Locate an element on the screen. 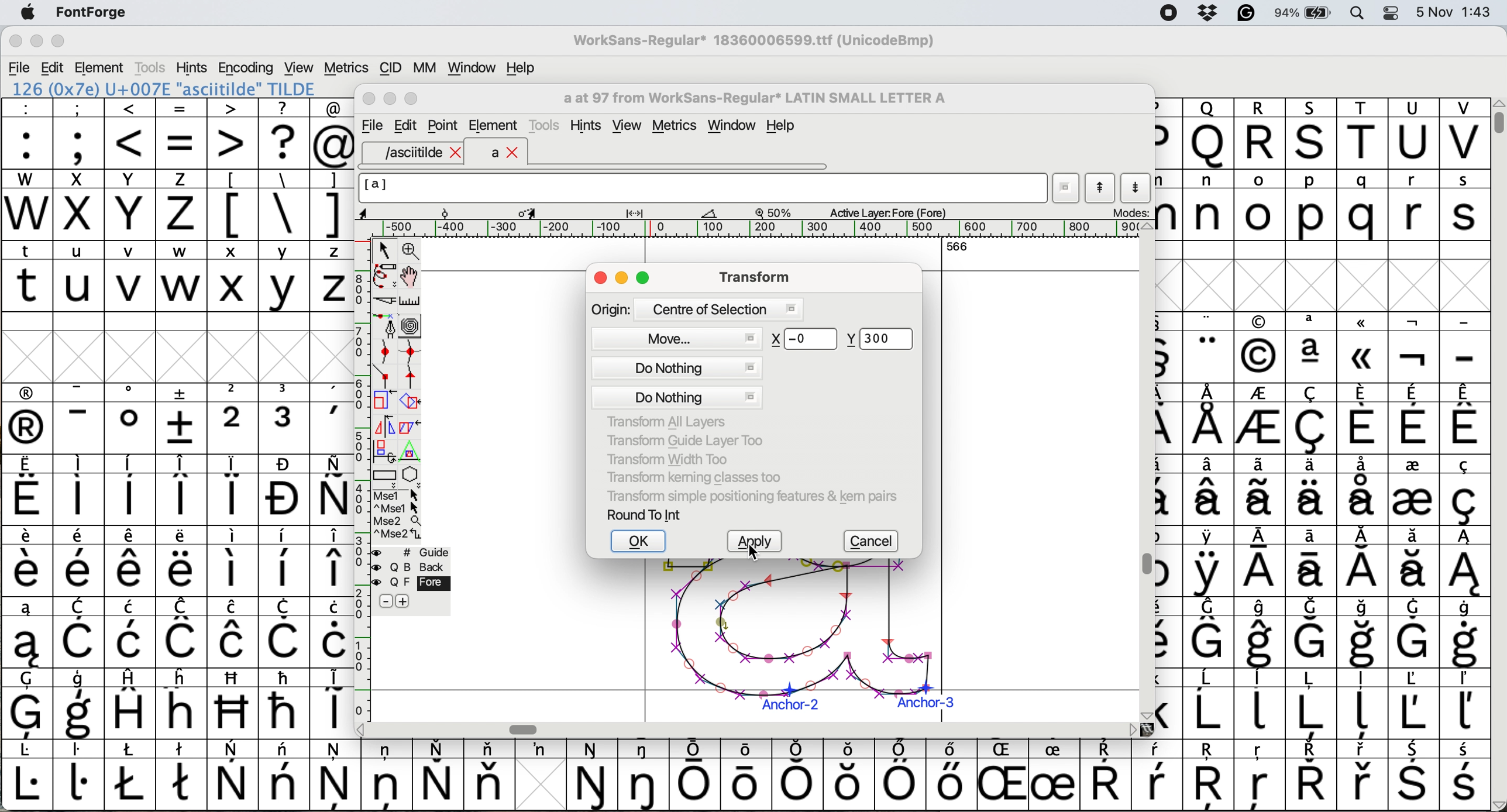 The image size is (1507, 812). symbol is located at coordinates (331, 490).